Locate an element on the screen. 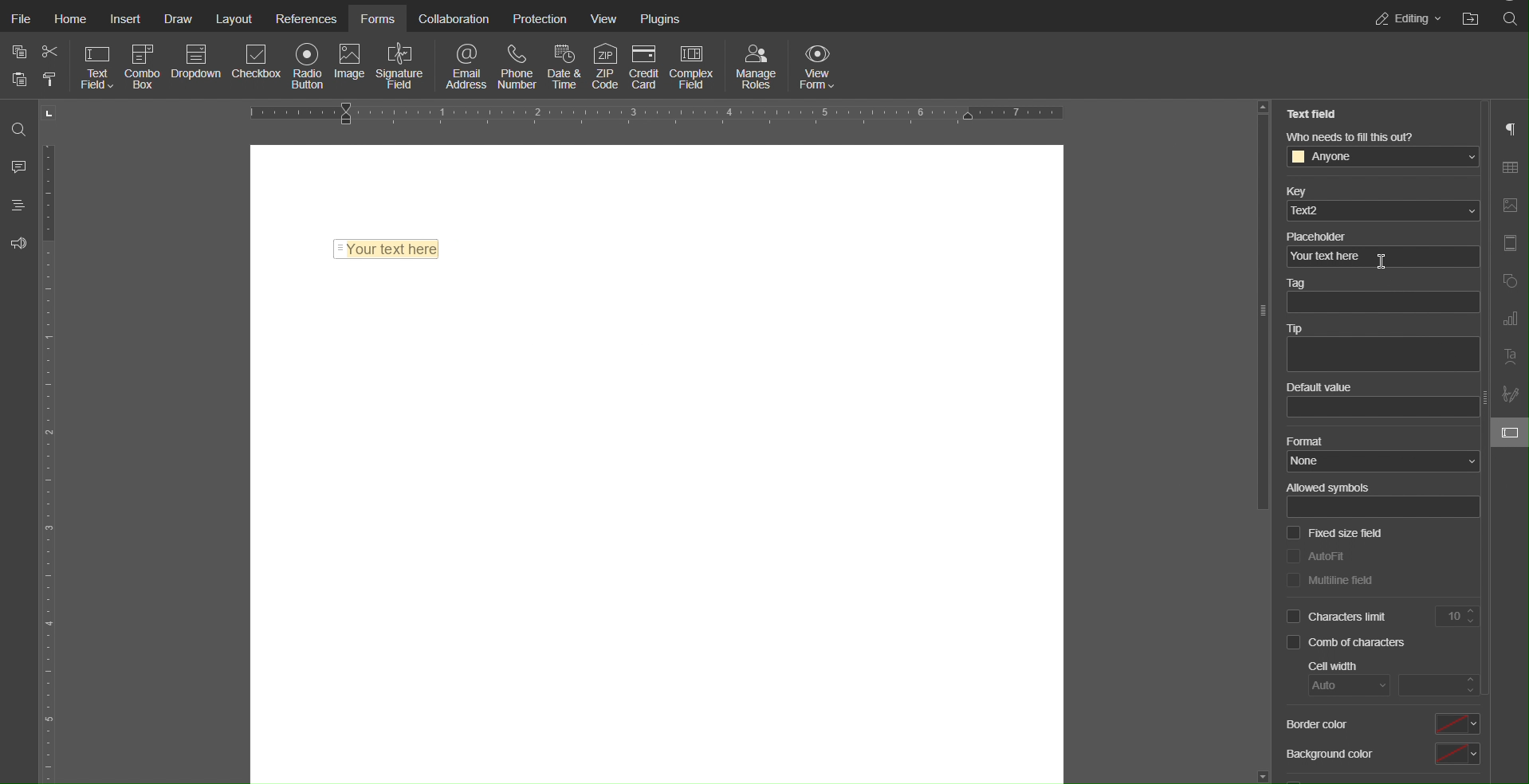 This screenshot has height=784, width=1529. Tag is located at coordinates (1383, 297).